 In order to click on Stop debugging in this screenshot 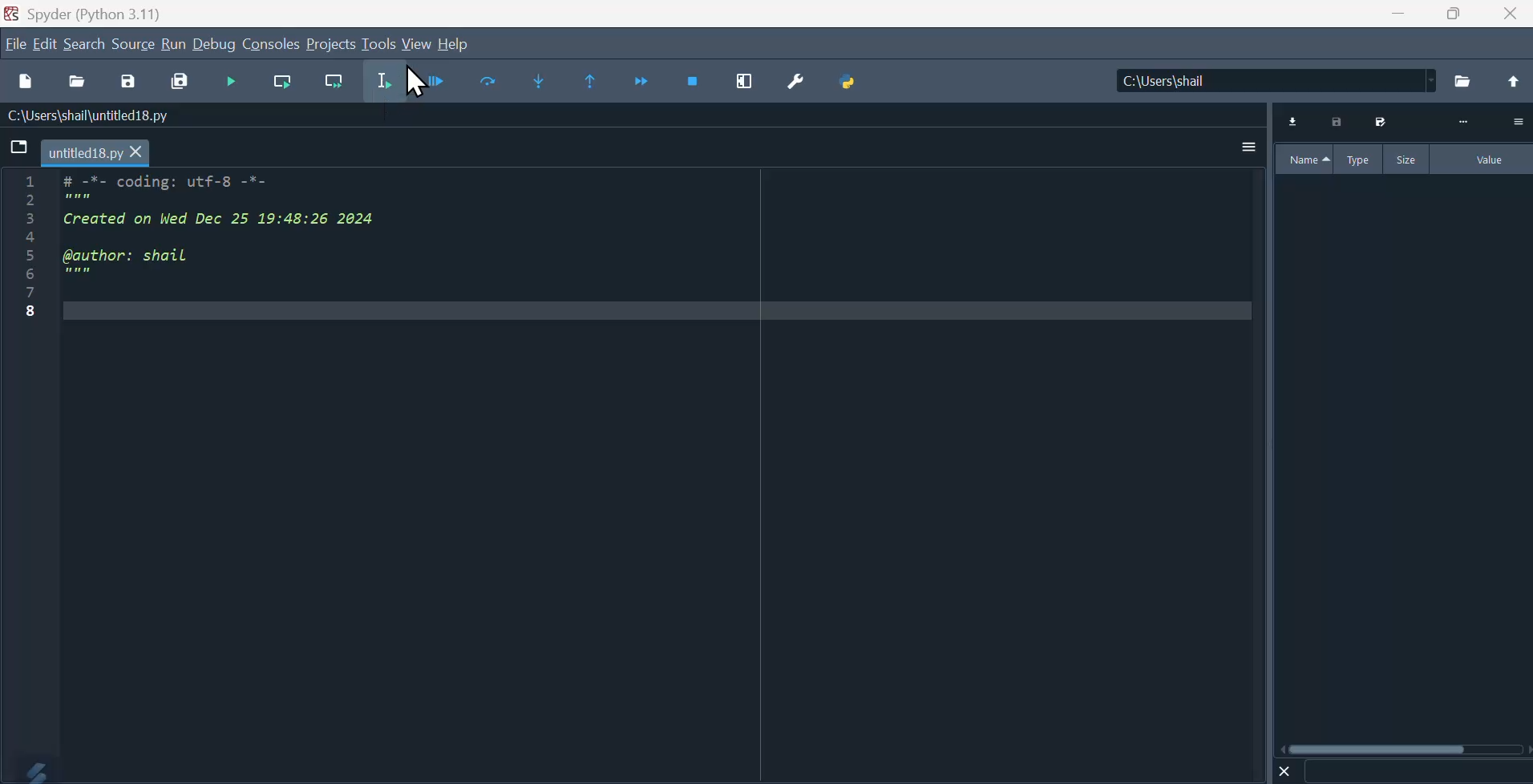, I will do `click(694, 83)`.